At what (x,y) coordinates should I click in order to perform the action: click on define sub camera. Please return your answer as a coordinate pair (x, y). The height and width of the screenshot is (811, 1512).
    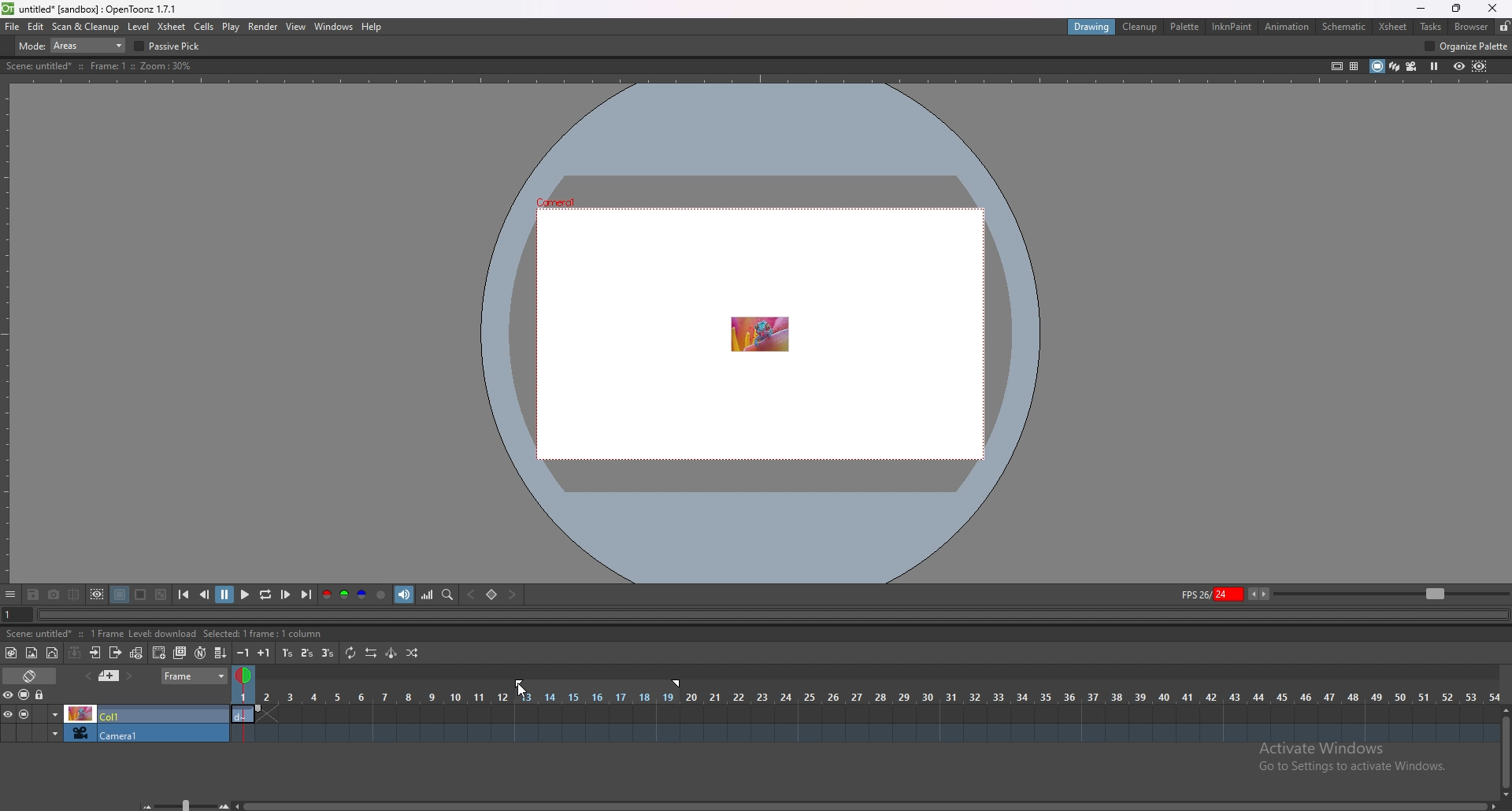
    Looking at the image, I should click on (98, 594).